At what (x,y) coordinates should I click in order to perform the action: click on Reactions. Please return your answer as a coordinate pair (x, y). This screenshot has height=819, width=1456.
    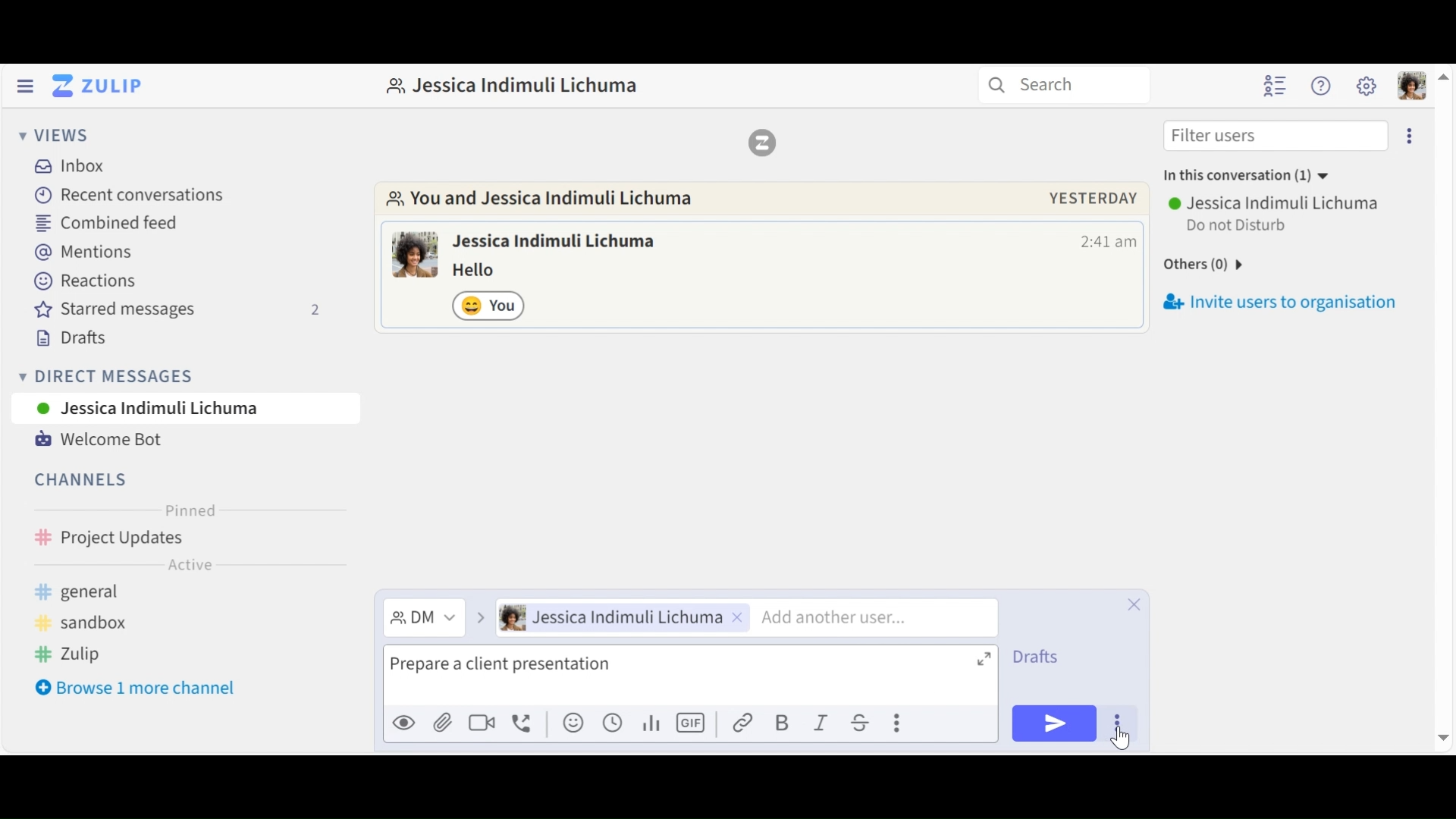
    Looking at the image, I should click on (80, 282).